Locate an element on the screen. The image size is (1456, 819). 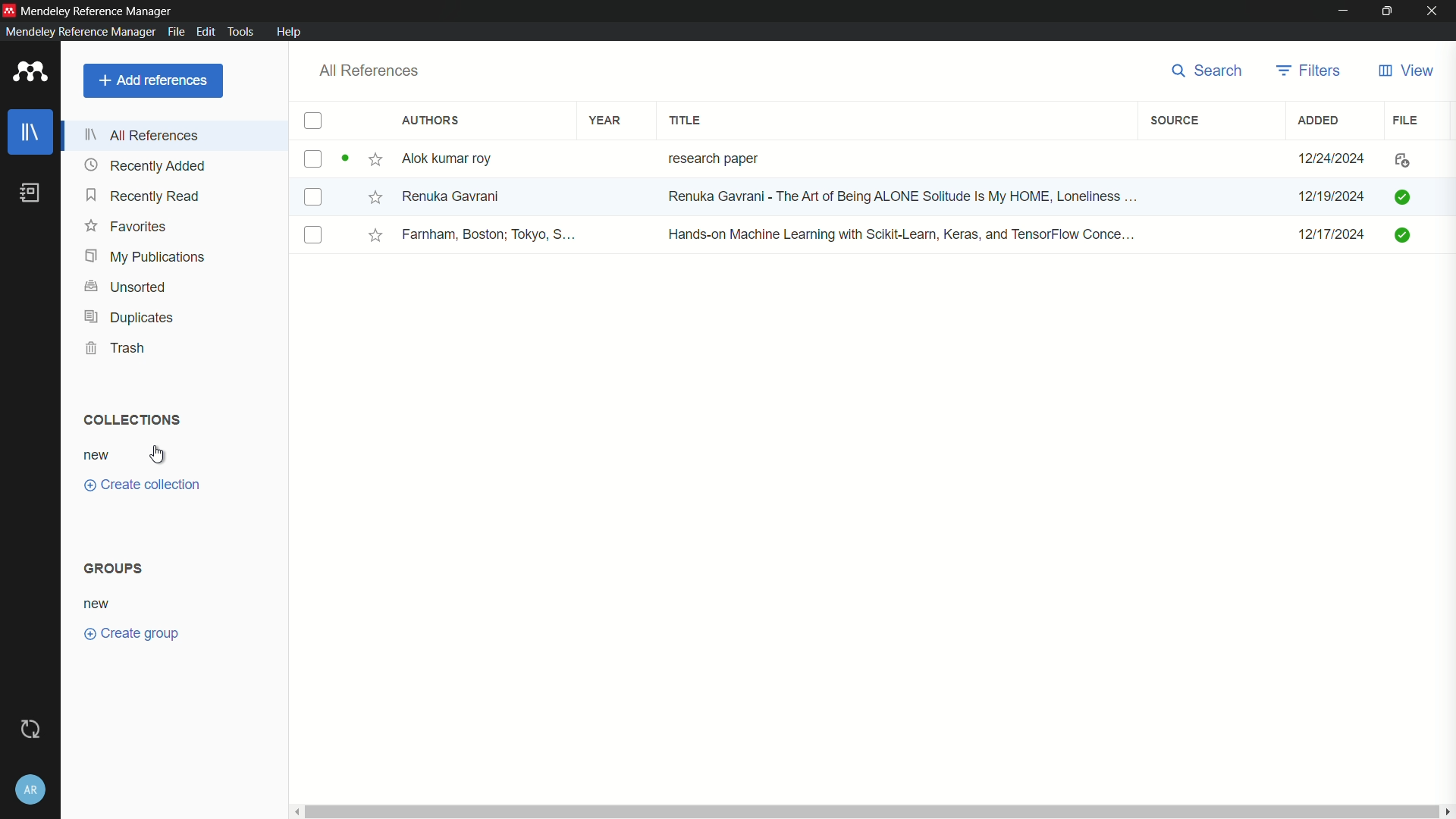
library is located at coordinates (32, 134).